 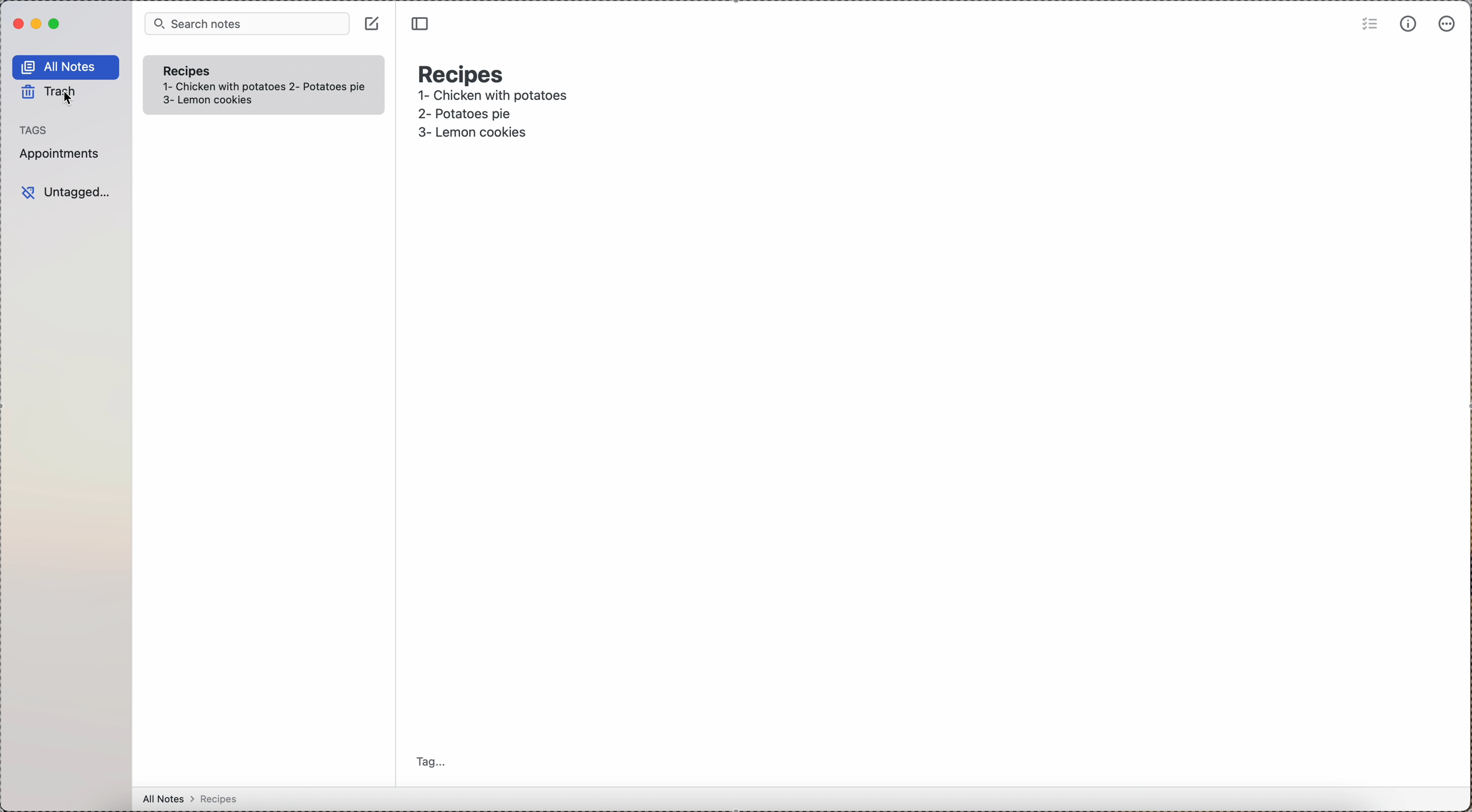 I want to click on appointments, so click(x=63, y=154).